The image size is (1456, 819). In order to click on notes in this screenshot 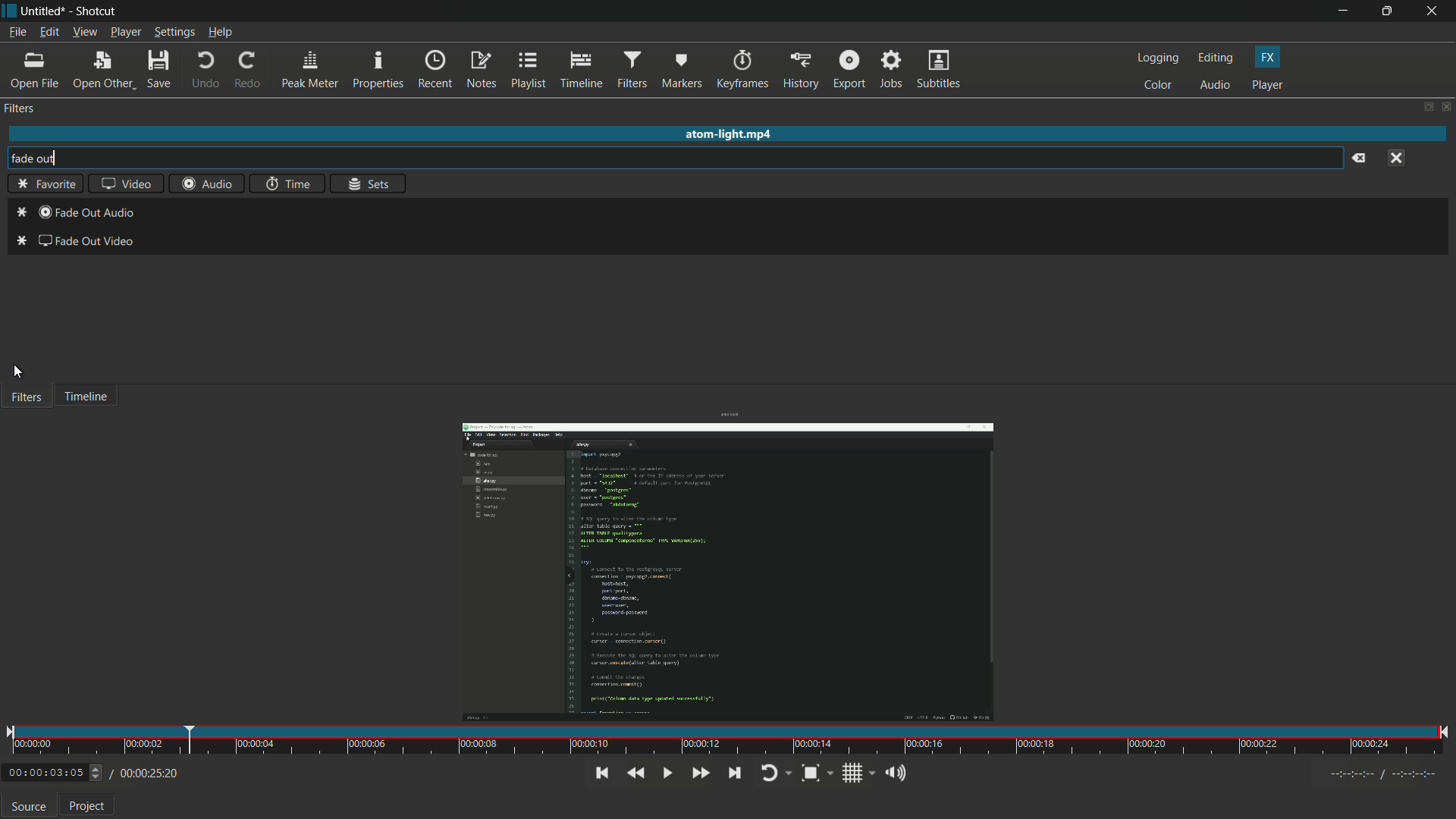, I will do `click(482, 71)`.